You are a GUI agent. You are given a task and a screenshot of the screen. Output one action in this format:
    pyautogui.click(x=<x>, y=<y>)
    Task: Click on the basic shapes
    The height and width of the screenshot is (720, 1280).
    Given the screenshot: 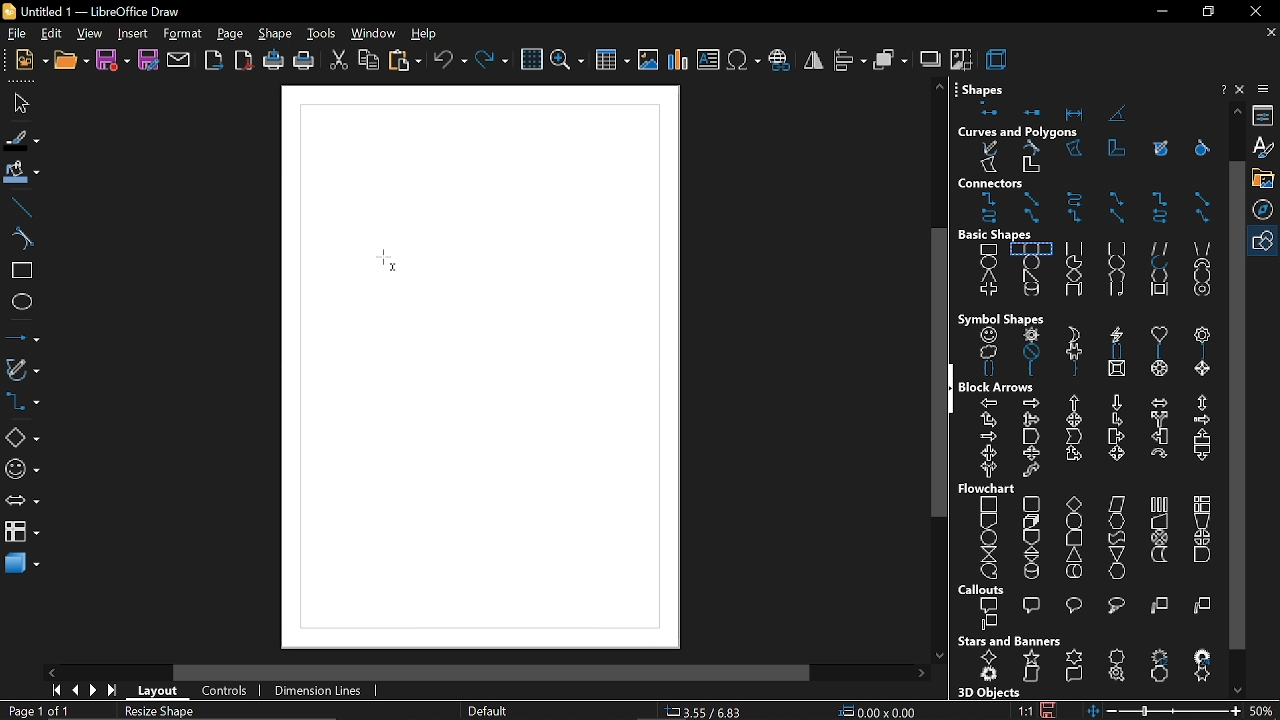 What is the action you would take?
    pyautogui.click(x=1265, y=242)
    